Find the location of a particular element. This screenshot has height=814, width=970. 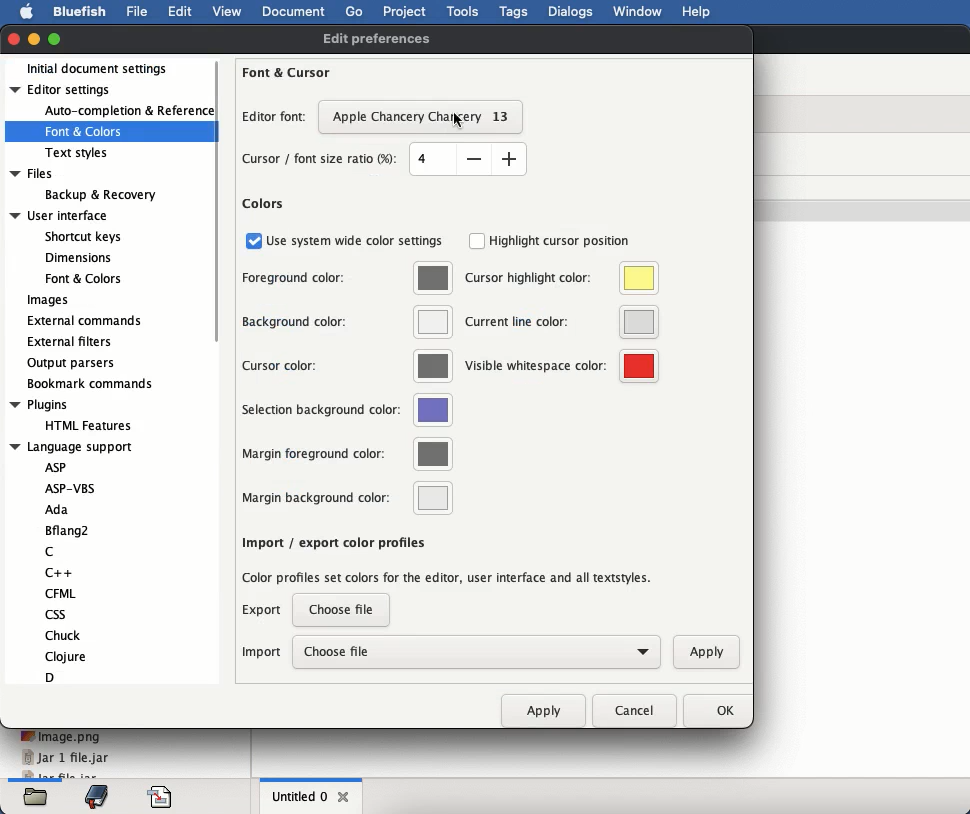

current line color is located at coordinates (561, 323).